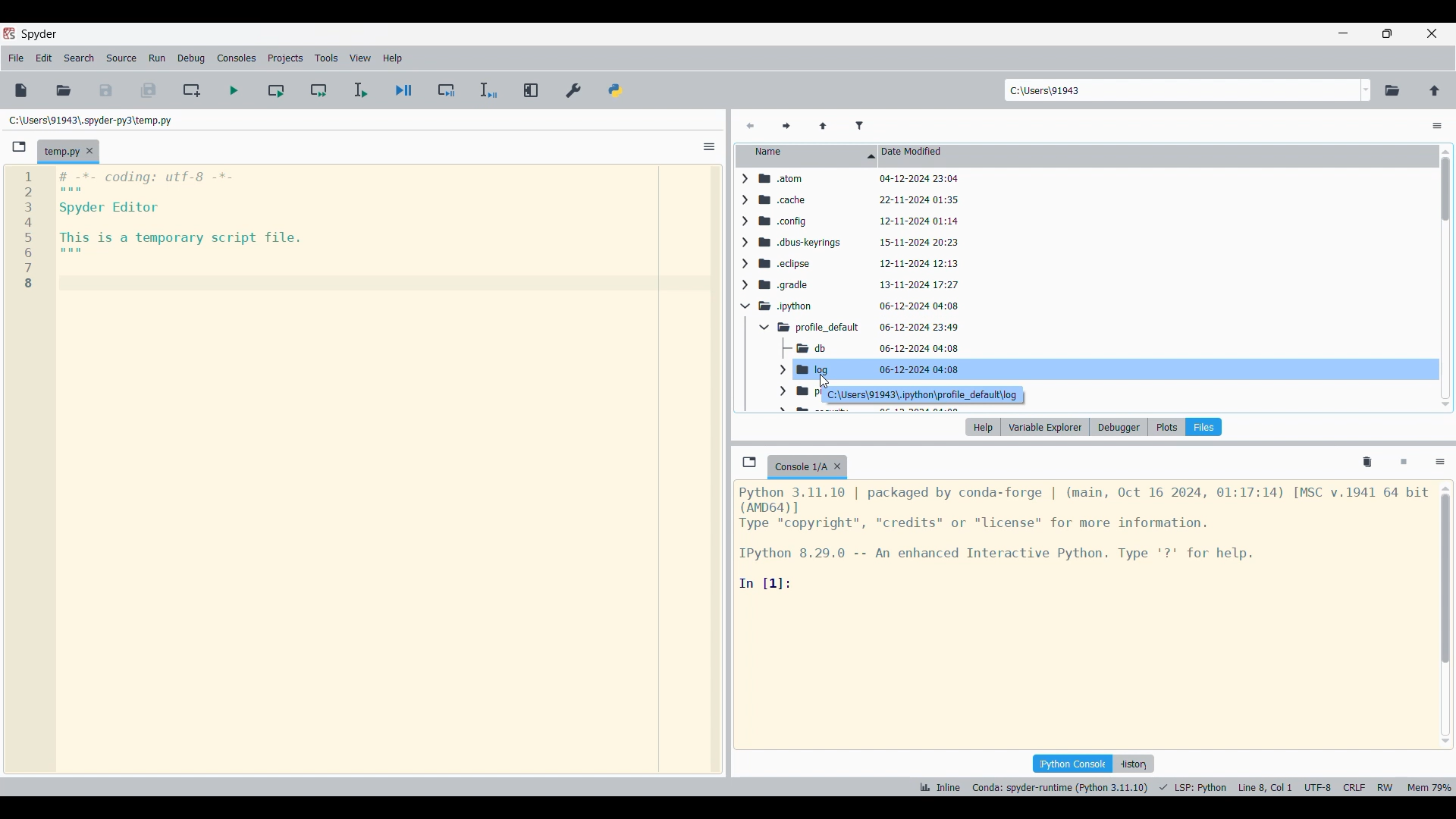 This screenshot has height=819, width=1456. What do you see at coordinates (1046, 427) in the screenshot?
I see `Variable explorer` at bounding box center [1046, 427].